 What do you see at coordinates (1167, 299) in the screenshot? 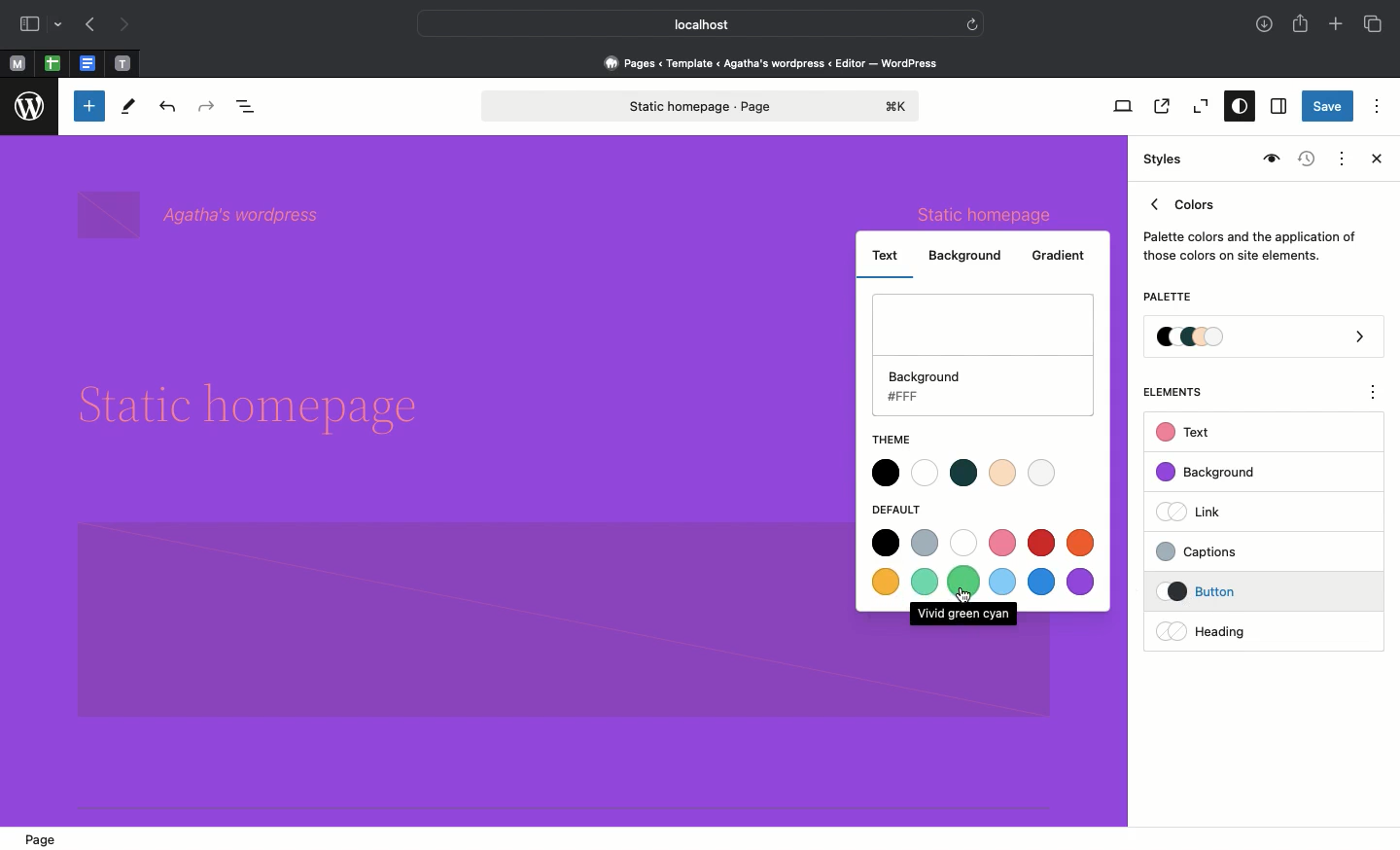
I see `Palette` at bounding box center [1167, 299].